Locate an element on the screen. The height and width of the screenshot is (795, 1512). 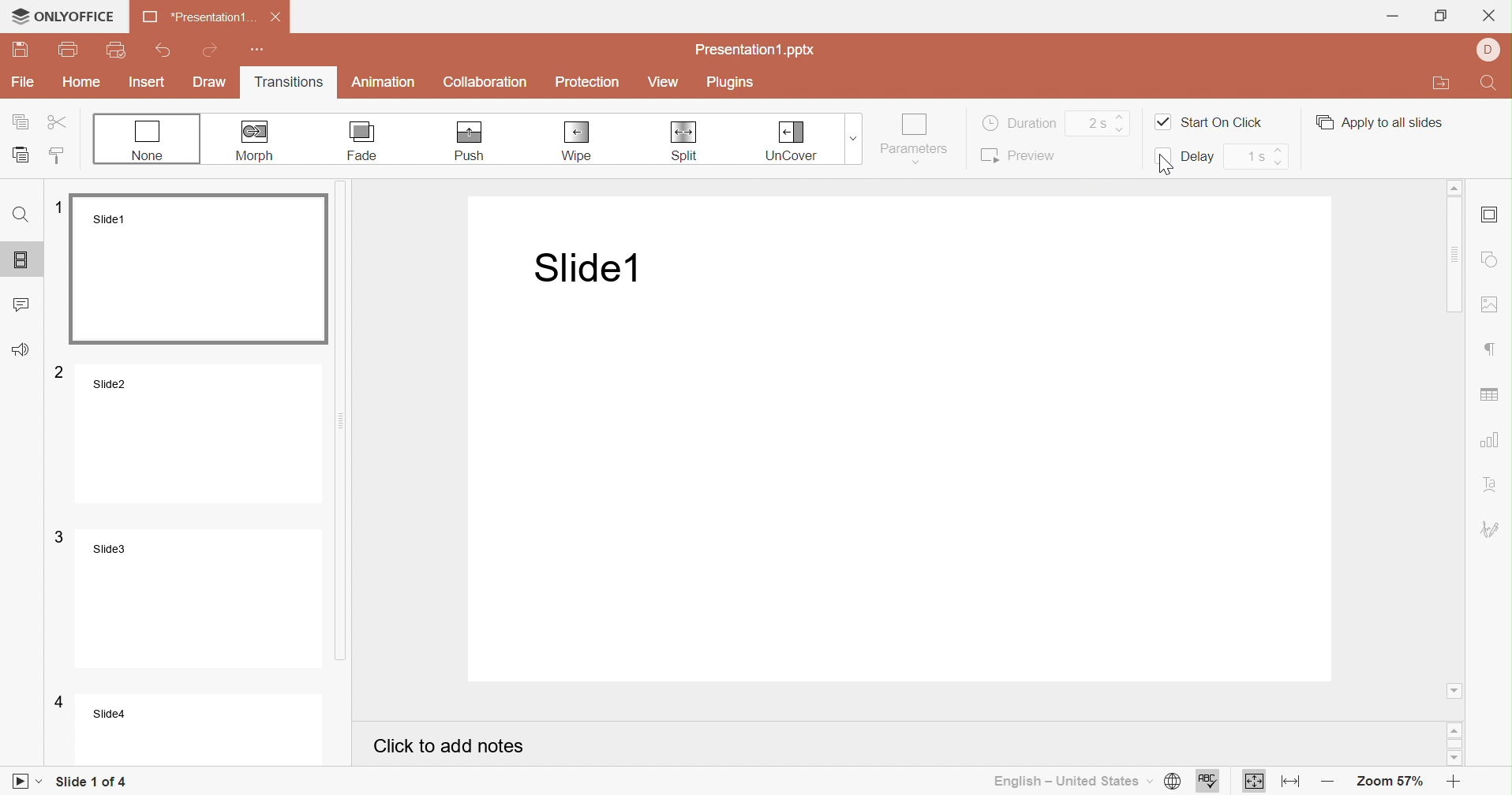
Slide settings is located at coordinates (1489, 215).